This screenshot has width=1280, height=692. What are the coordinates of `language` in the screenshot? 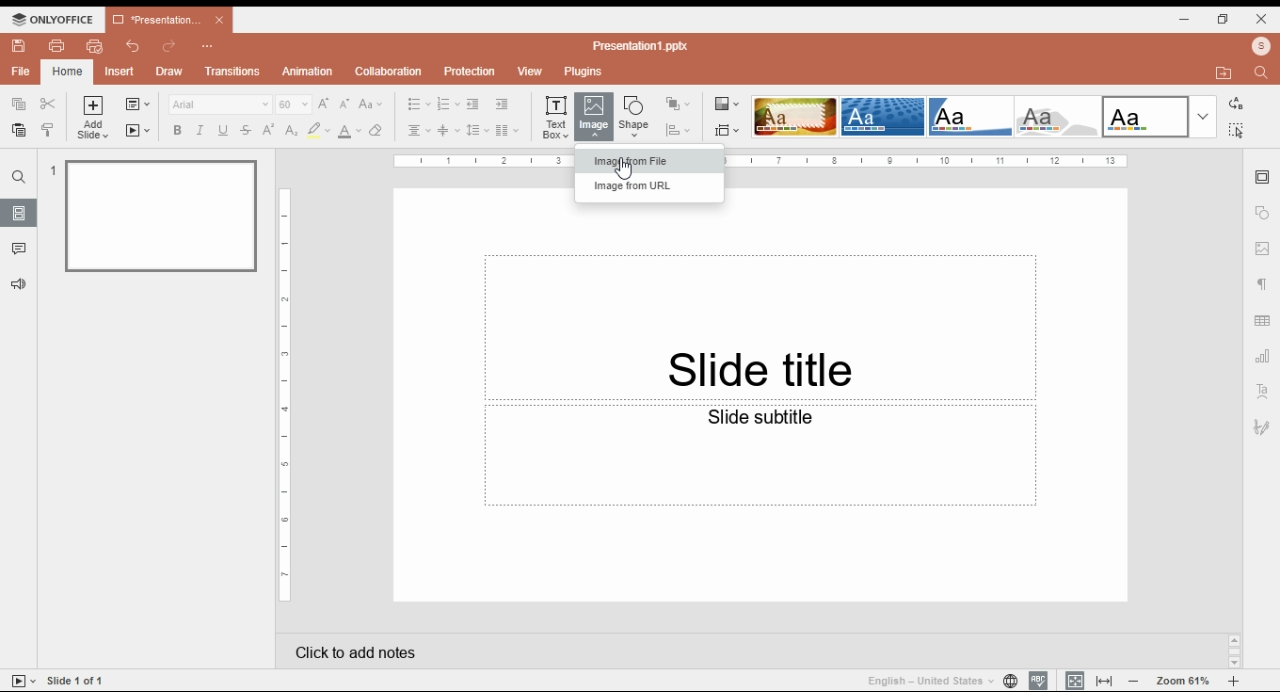 It's located at (935, 682).